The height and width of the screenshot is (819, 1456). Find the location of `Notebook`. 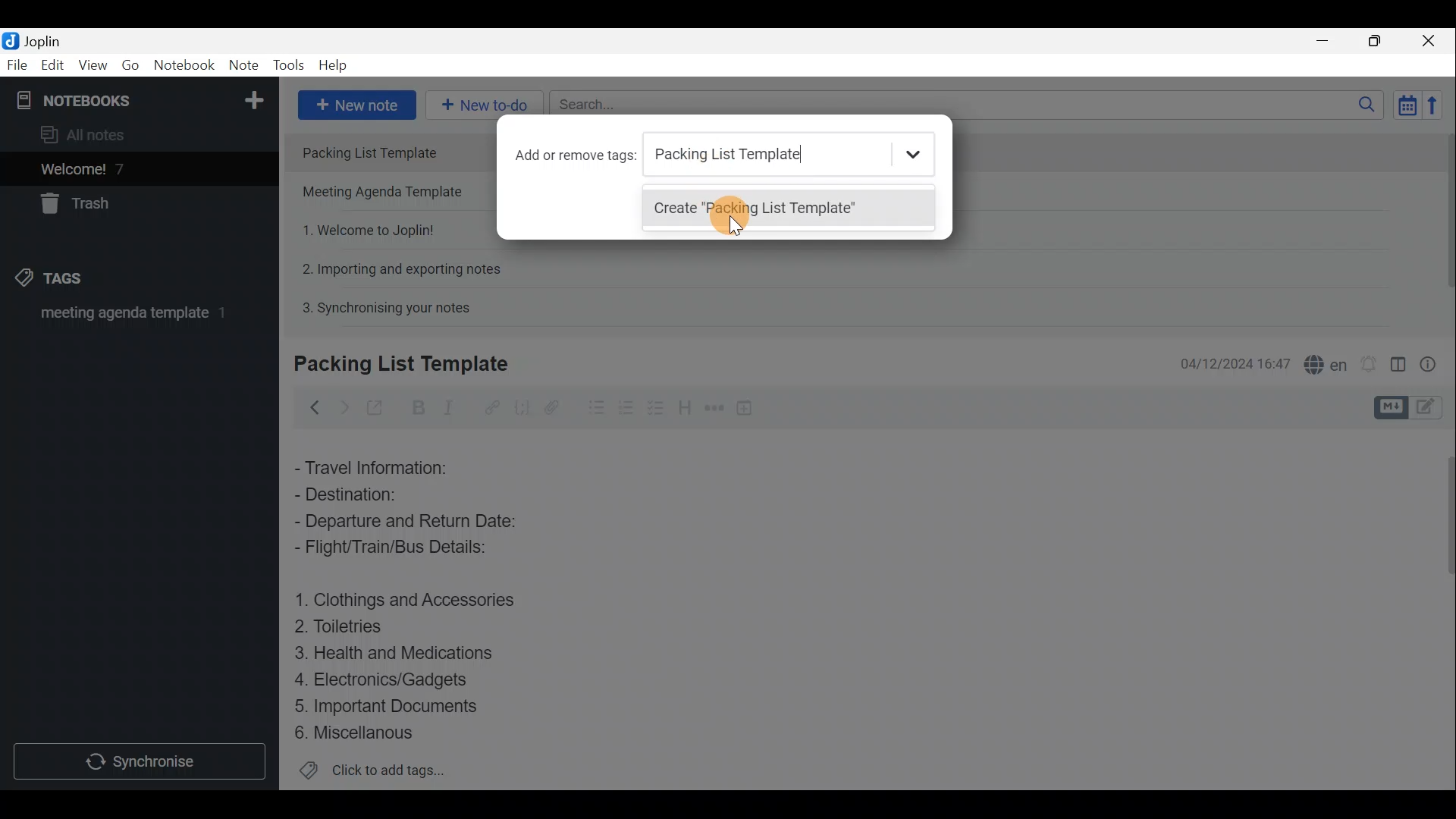

Notebook is located at coordinates (184, 67).